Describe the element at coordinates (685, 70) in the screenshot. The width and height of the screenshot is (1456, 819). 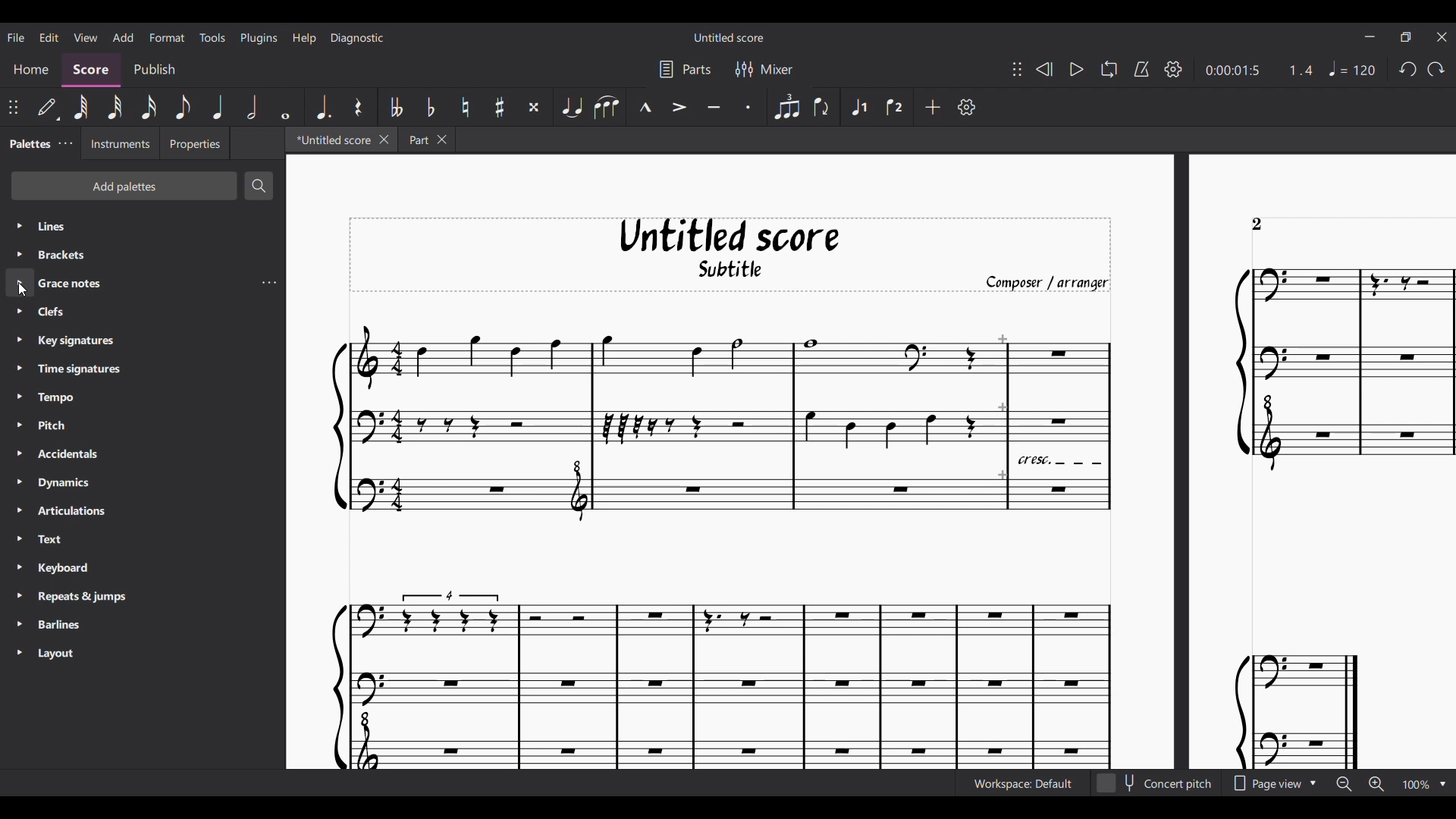
I see `Parts settings` at that location.